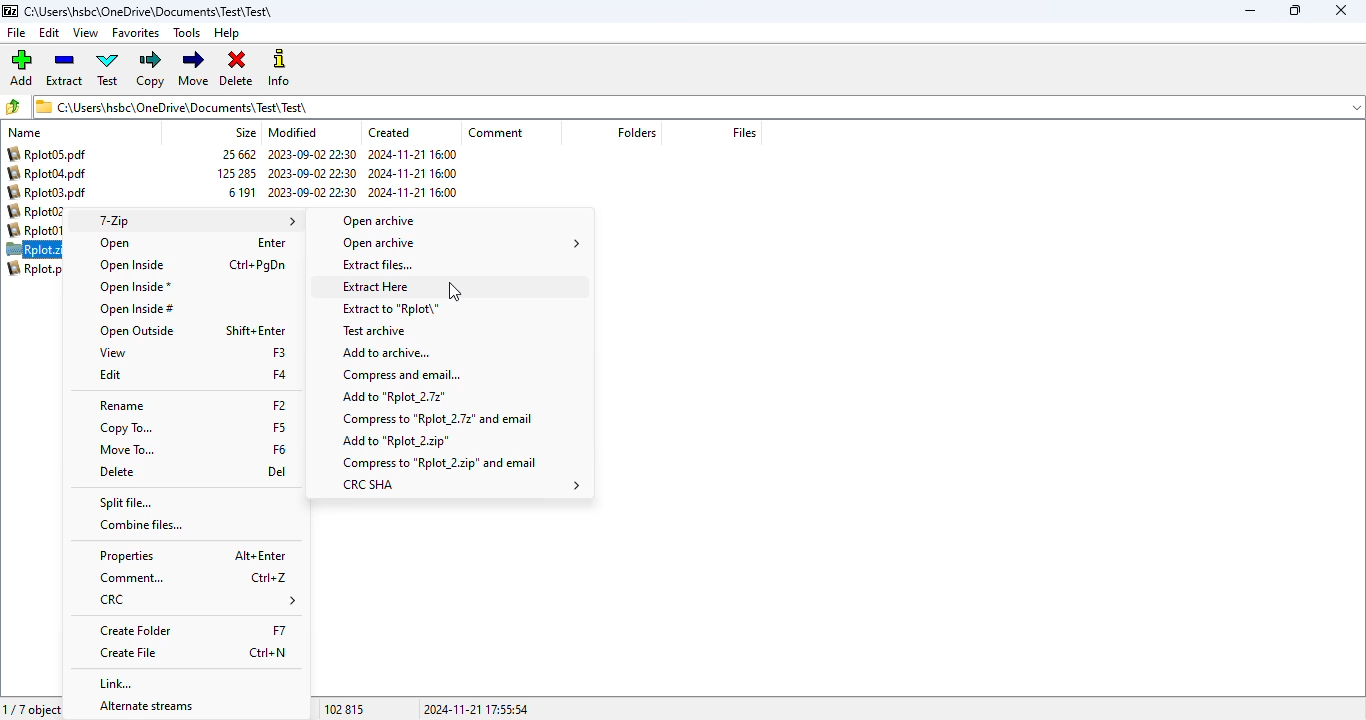 The width and height of the screenshot is (1366, 720). I want to click on move, so click(193, 68).